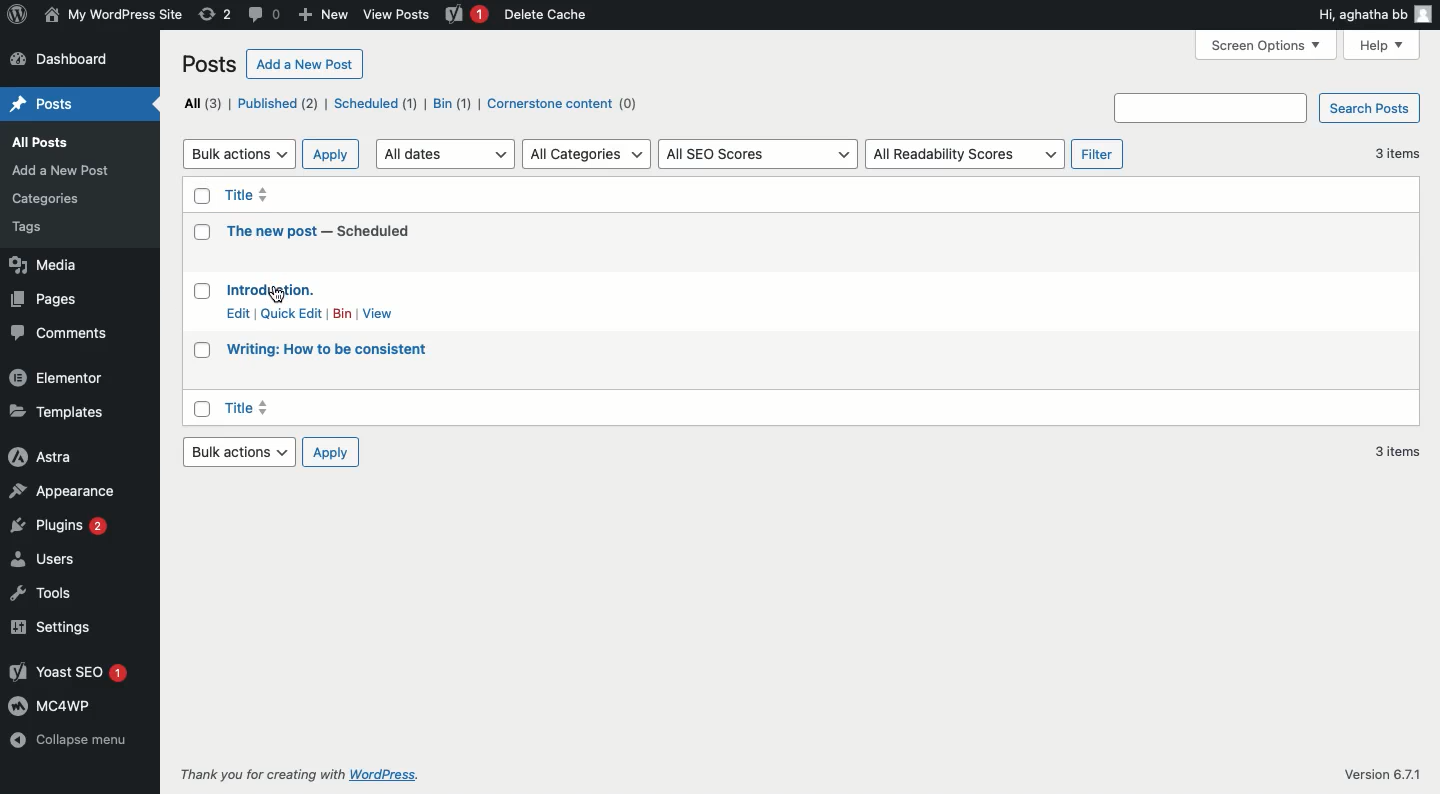 The image size is (1440, 794). What do you see at coordinates (67, 671) in the screenshot?
I see `Yoast SEO` at bounding box center [67, 671].